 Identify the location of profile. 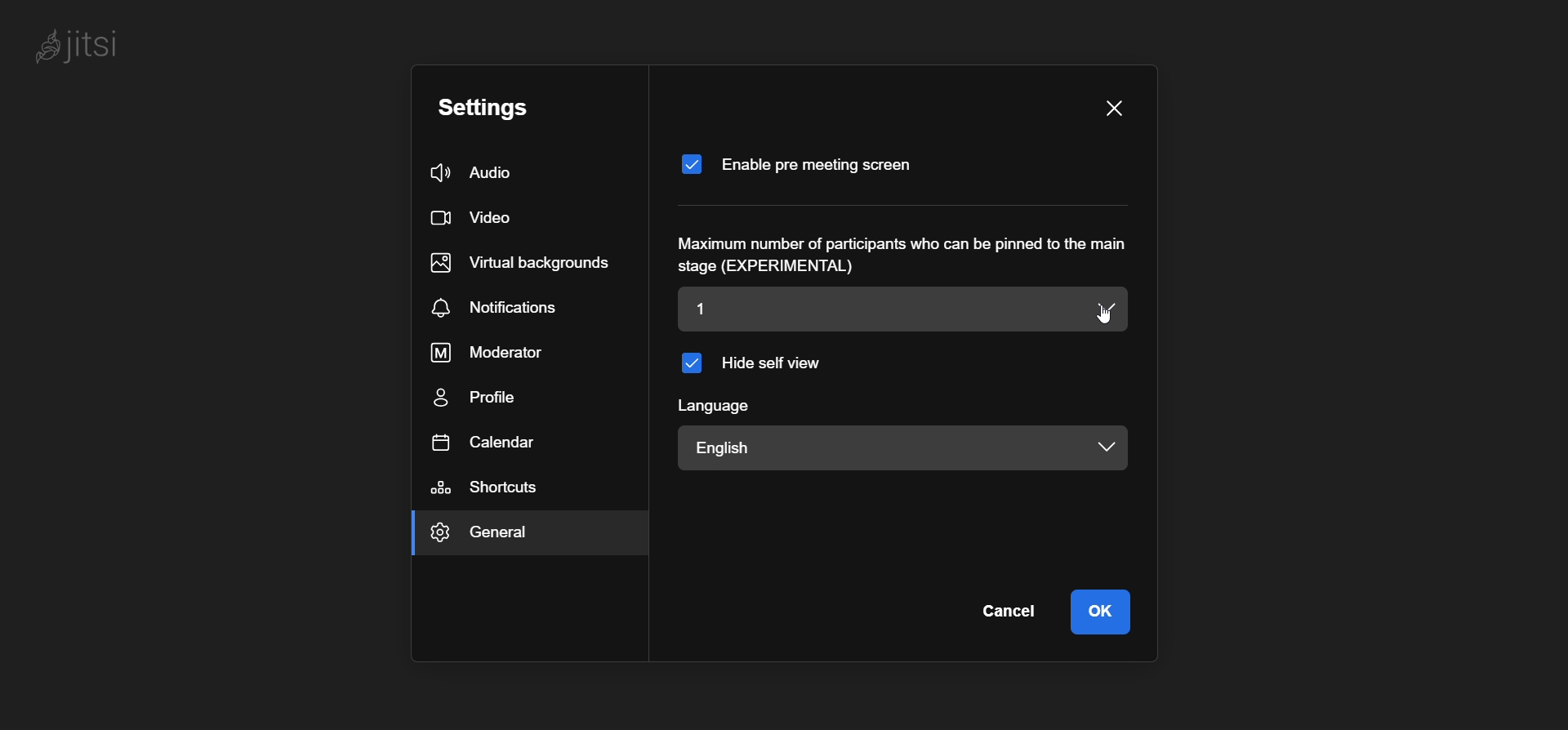
(480, 400).